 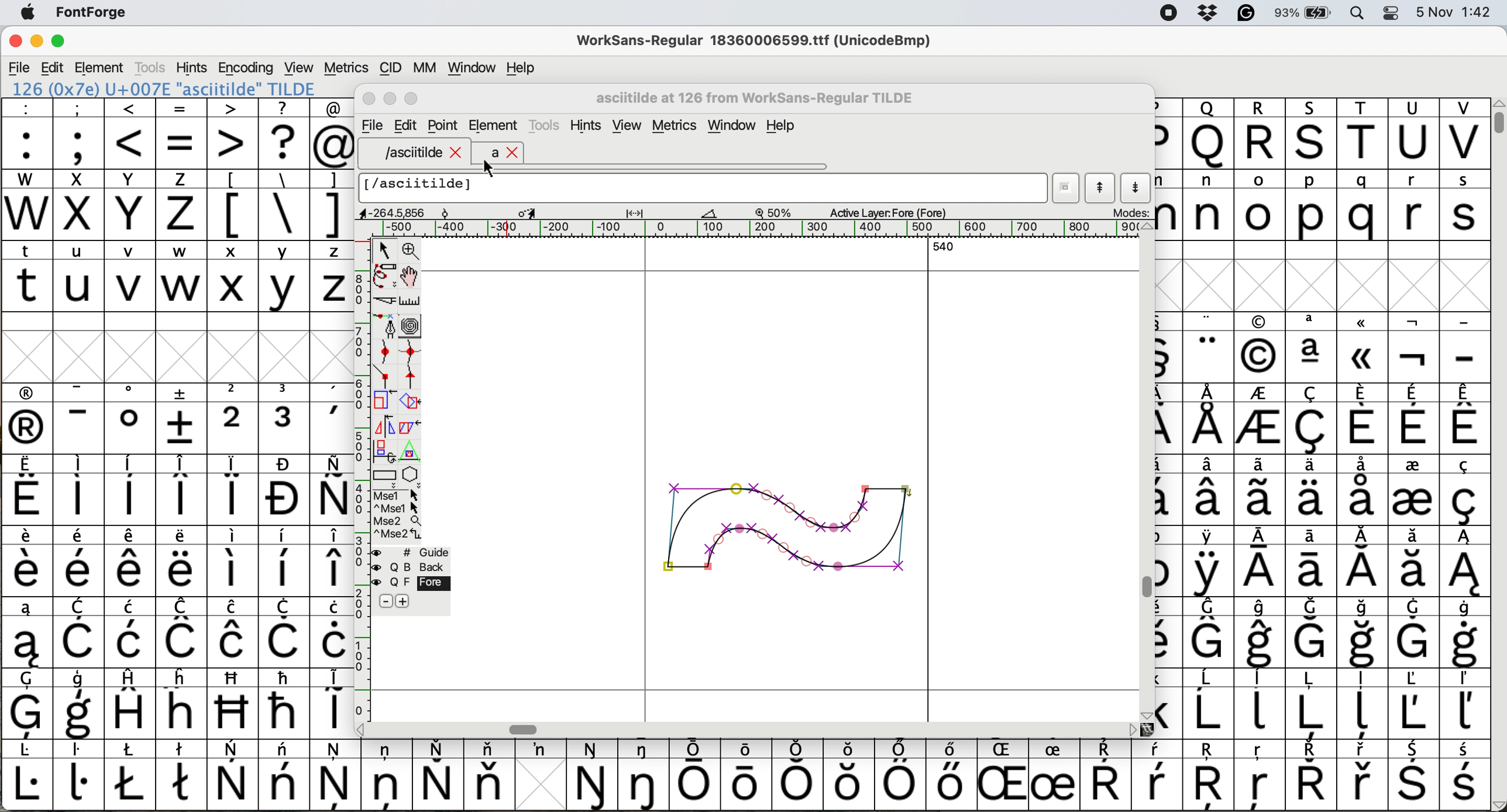 What do you see at coordinates (346, 68) in the screenshot?
I see `metrics` at bounding box center [346, 68].